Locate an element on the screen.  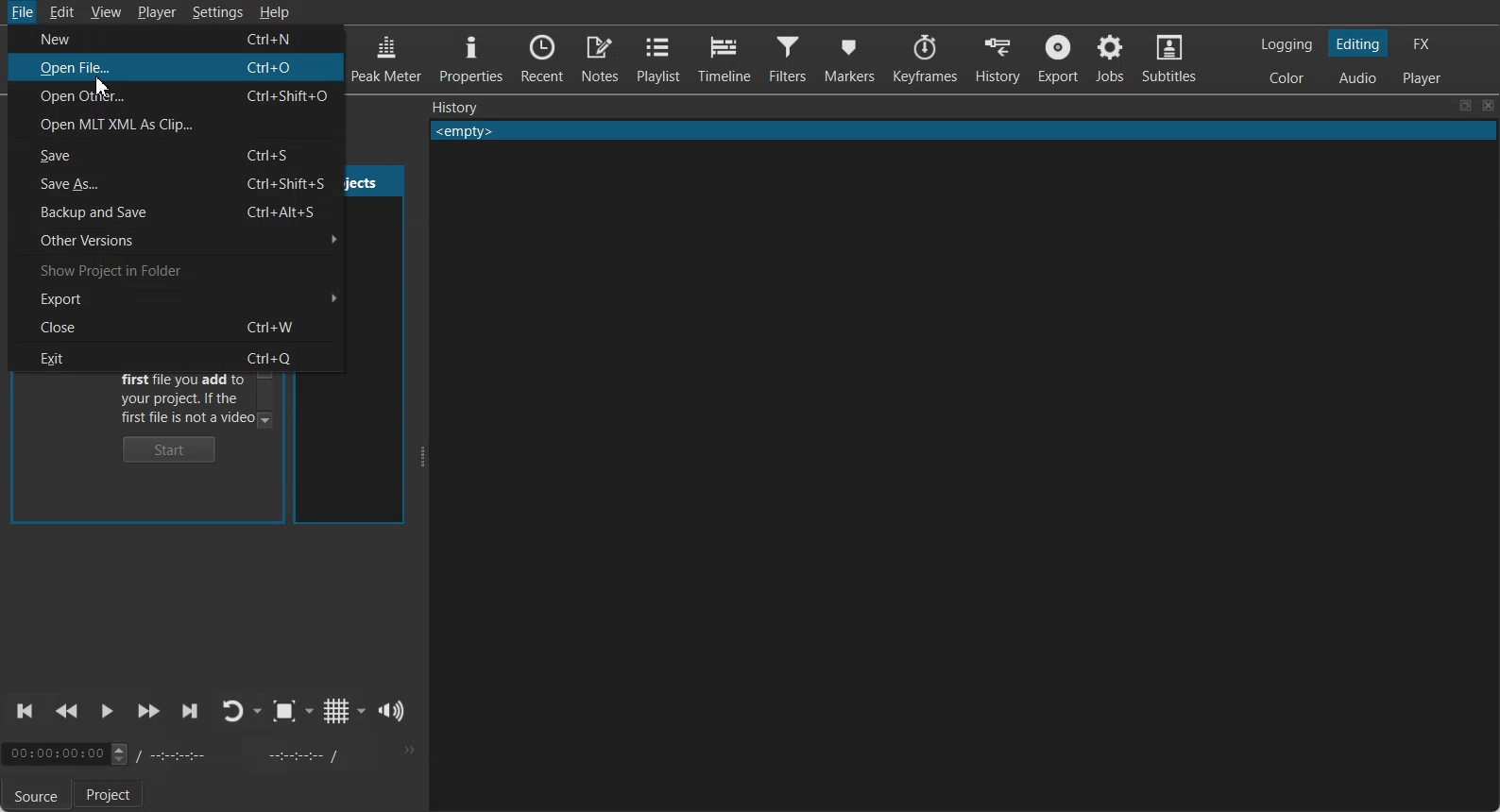
Save is located at coordinates (106, 155).